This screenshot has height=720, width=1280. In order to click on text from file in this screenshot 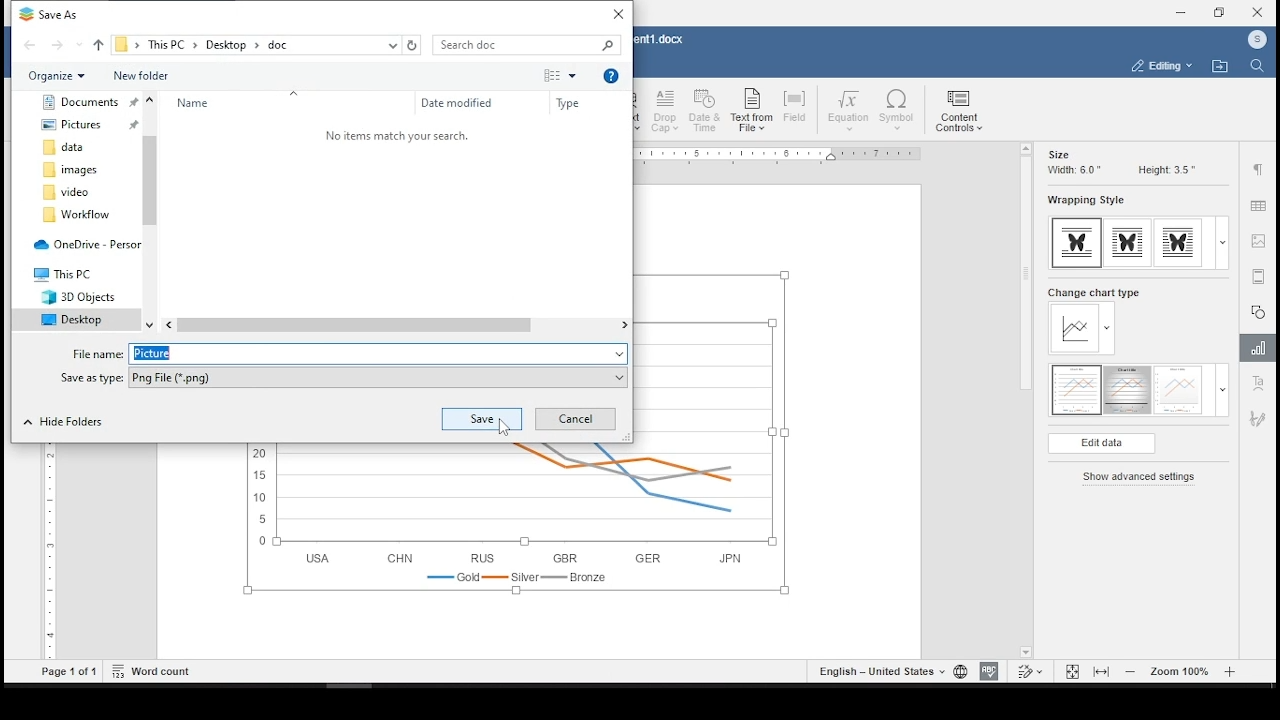, I will do `click(751, 111)`.